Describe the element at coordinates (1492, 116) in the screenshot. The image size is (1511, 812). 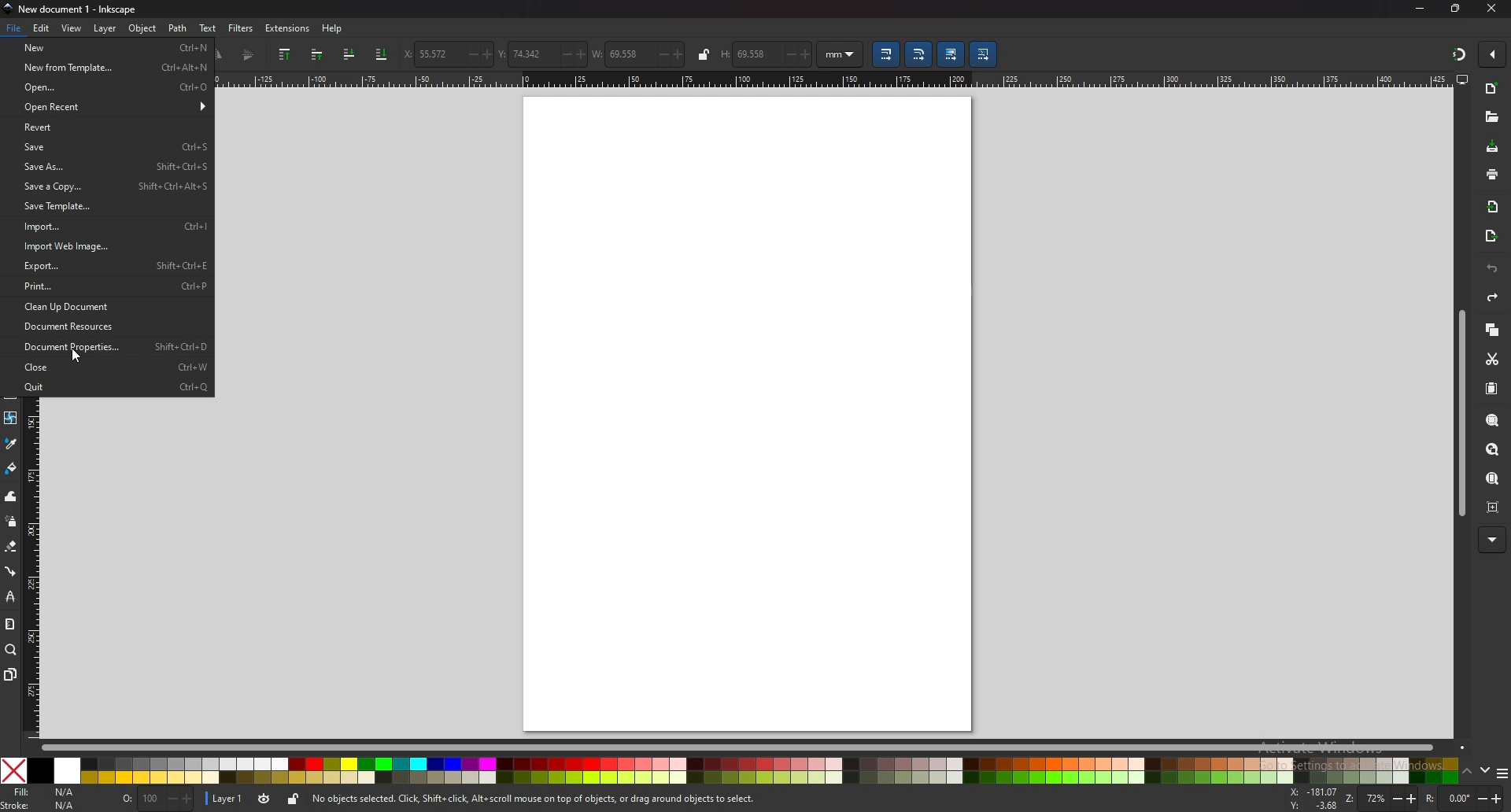
I see `open` at that location.